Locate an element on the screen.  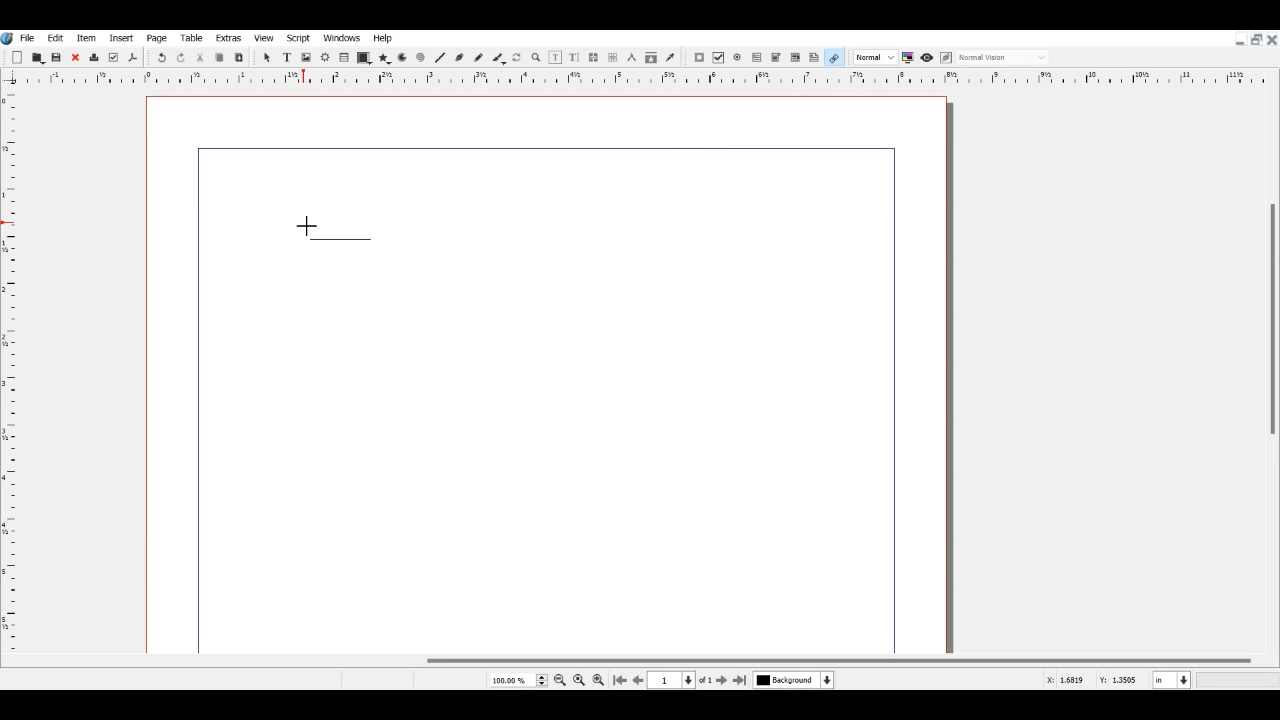
Zoom out is located at coordinates (561, 680).